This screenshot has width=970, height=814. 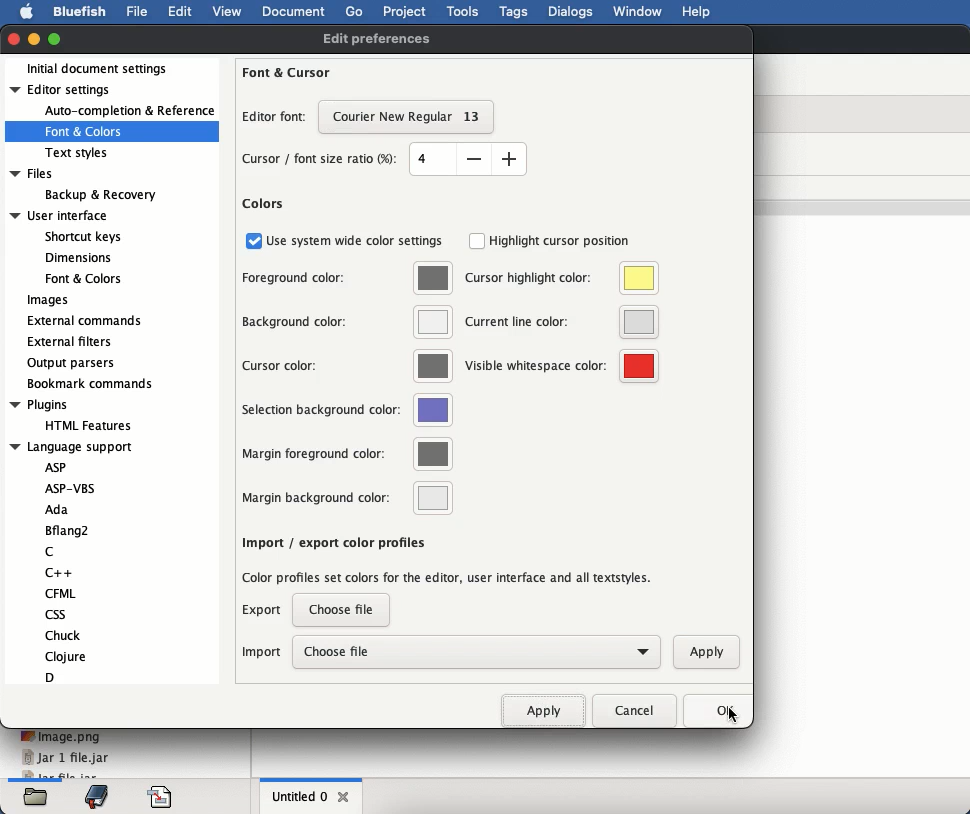 What do you see at coordinates (90, 384) in the screenshot?
I see `bookmark commands` at bounding box center [90, 384].